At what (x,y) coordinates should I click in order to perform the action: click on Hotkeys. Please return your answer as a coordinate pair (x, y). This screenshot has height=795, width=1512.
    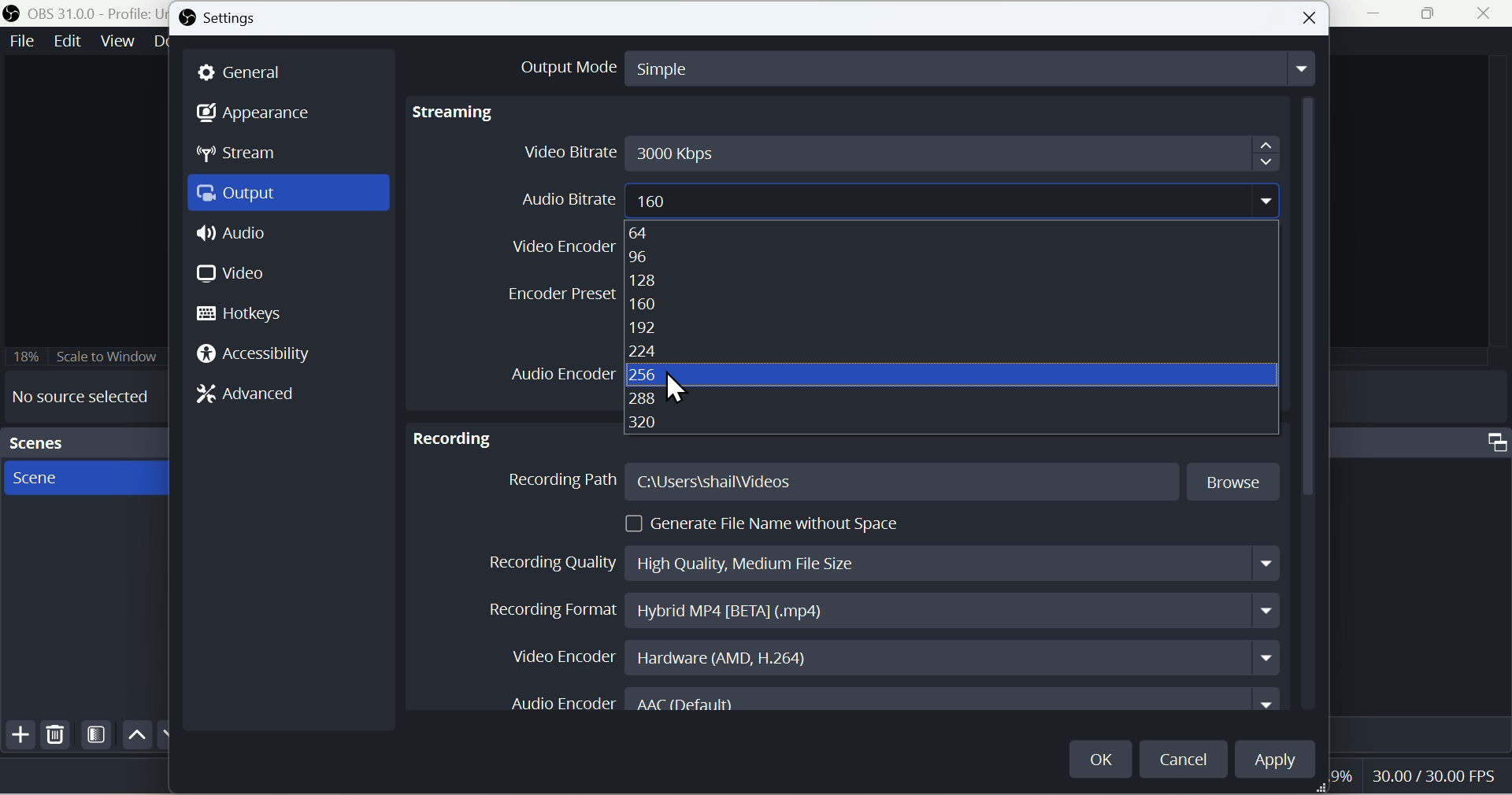
    Looking at the image, I should click on (248, 313).